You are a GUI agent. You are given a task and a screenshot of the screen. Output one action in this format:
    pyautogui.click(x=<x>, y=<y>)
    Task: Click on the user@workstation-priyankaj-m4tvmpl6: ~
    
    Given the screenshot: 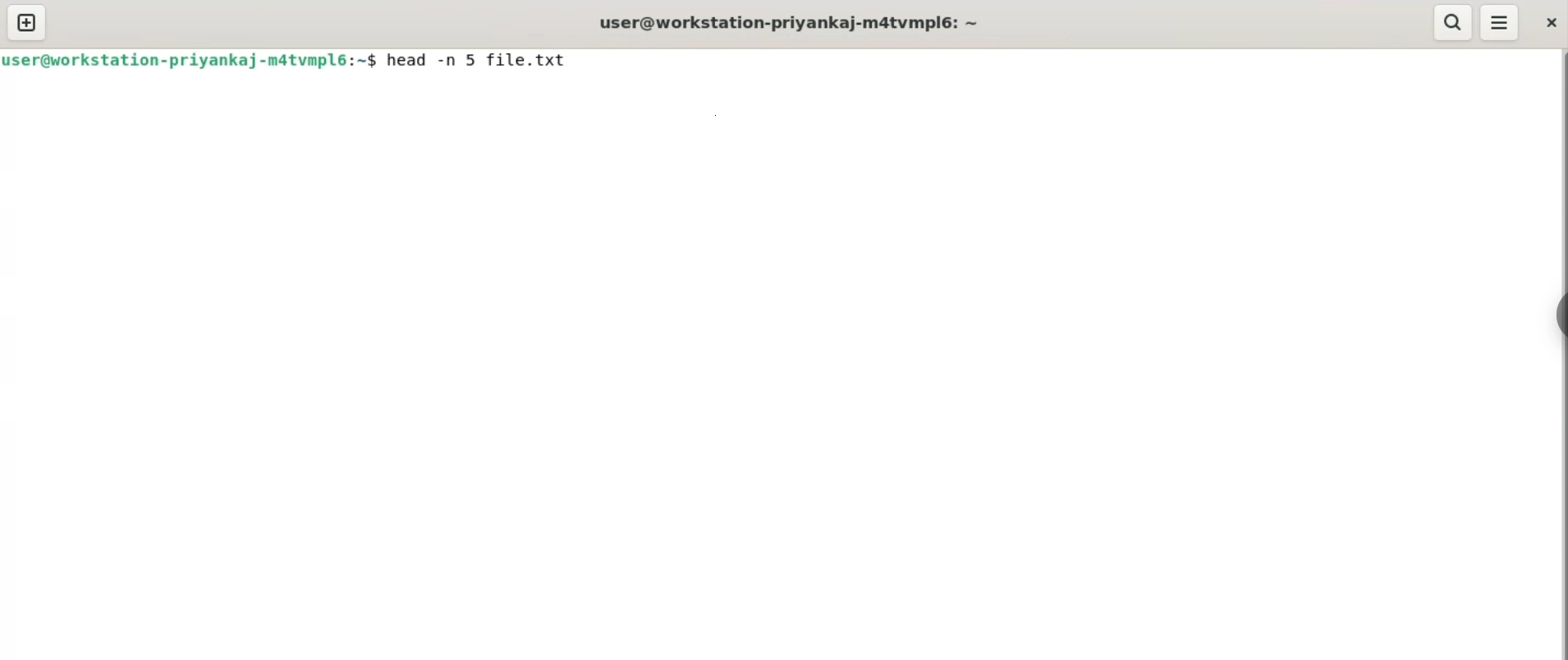 What is the action you would take?
    pyautogui.click(x=790, y=21)
    